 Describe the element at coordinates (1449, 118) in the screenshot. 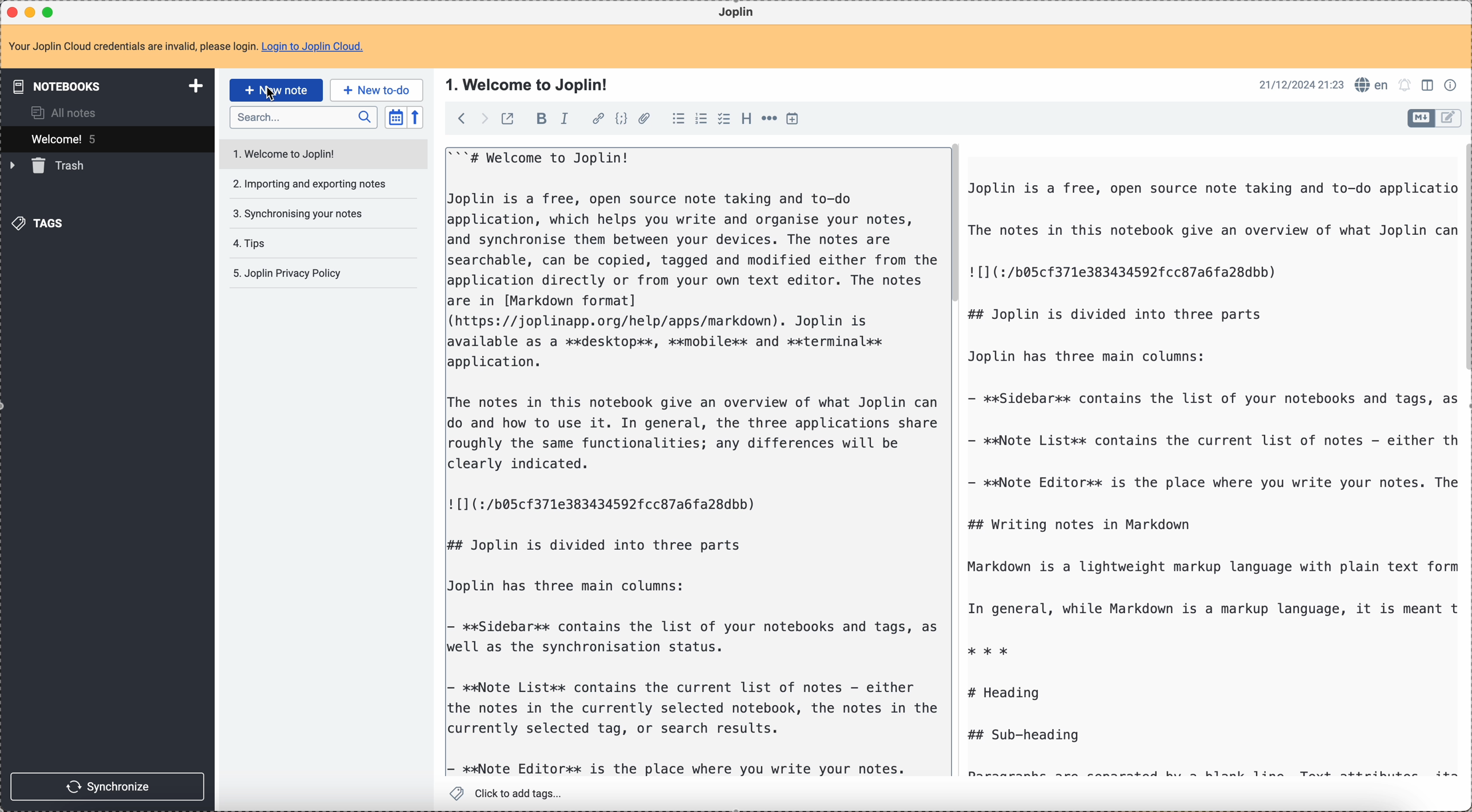

I see `toggle edit layout` at that location.